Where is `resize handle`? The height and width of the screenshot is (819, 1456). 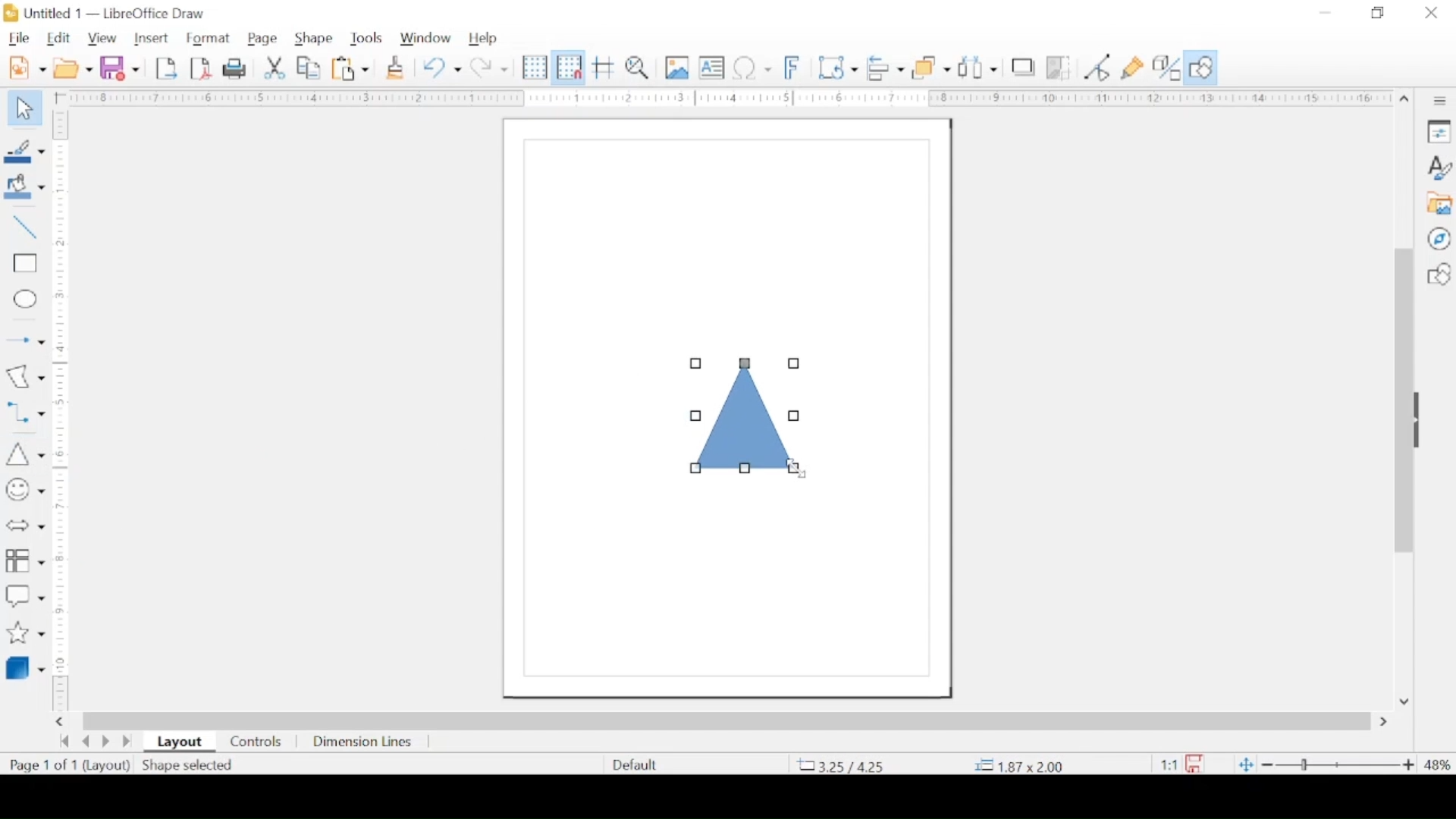 resize handle is located at coordinates (745, 363).